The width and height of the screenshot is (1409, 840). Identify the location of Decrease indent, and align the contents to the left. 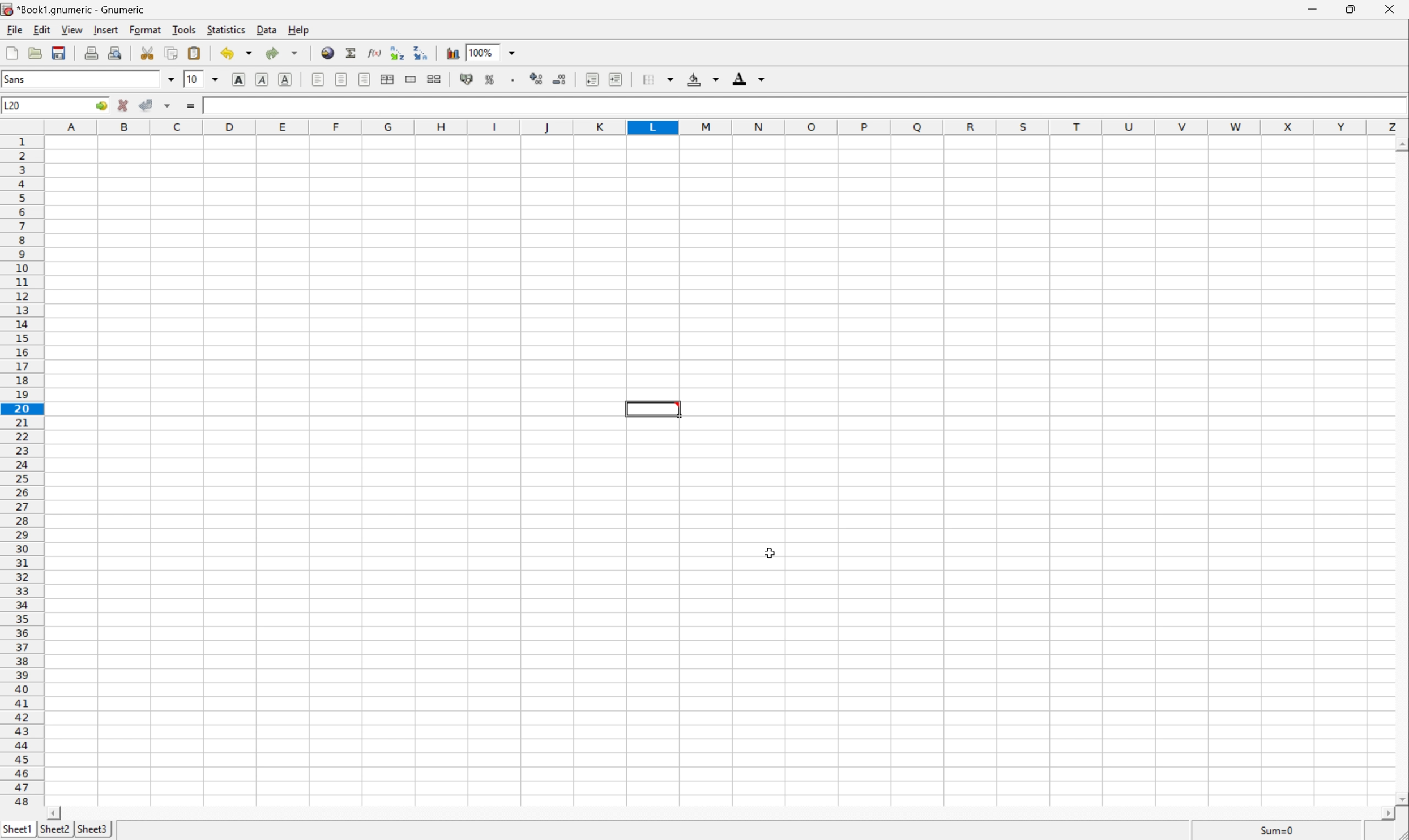
(591, 79).